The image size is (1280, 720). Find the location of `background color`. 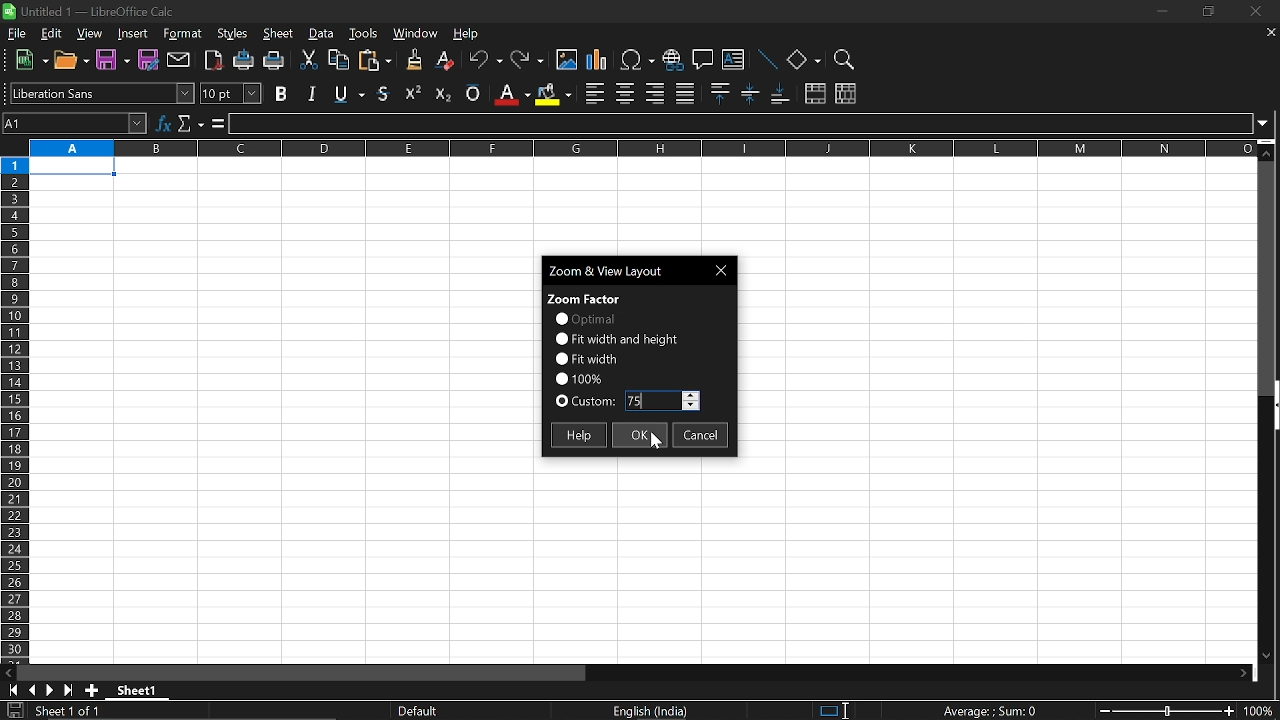

background color is located at coordinates (552, 93).